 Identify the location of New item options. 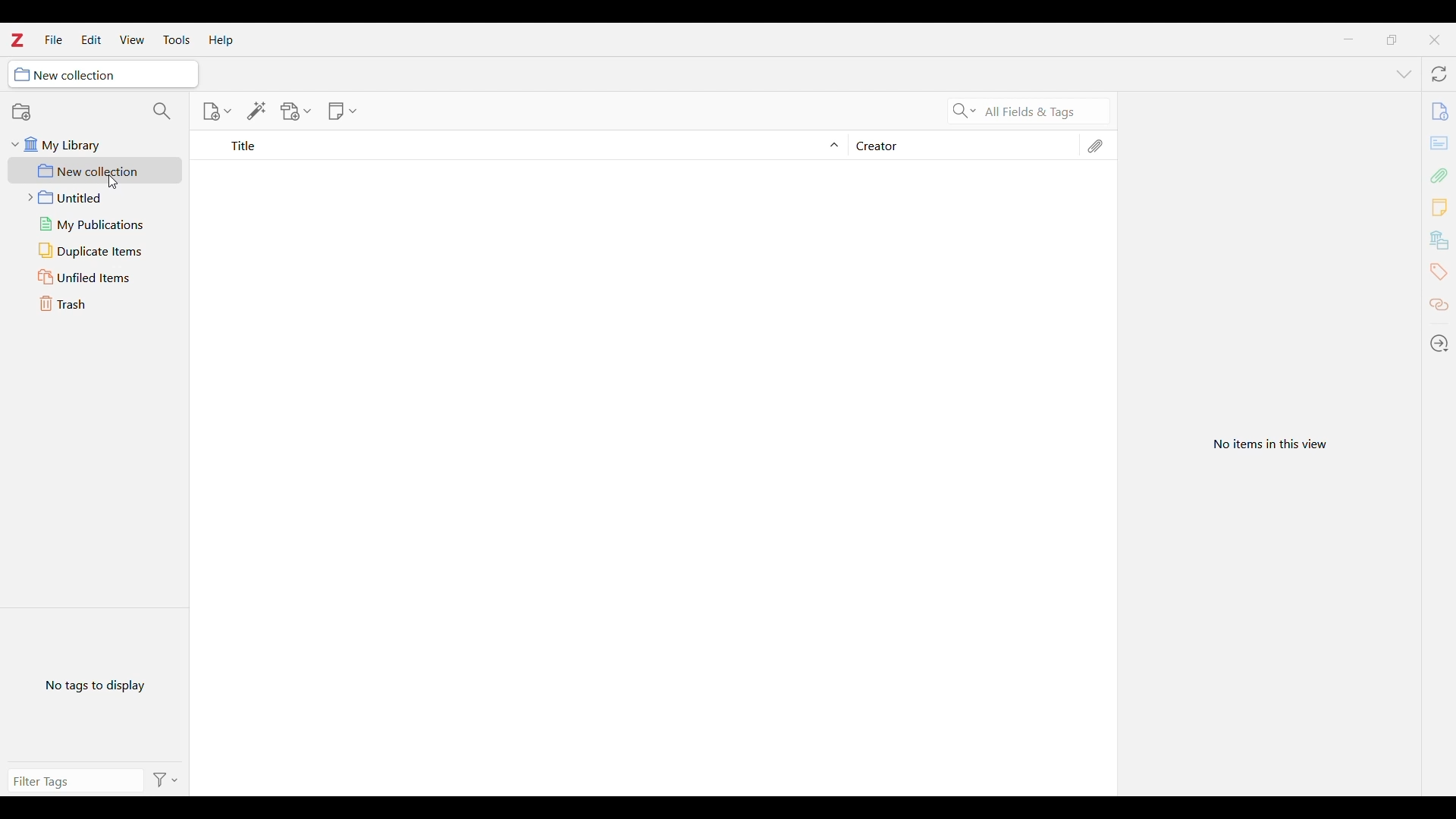
(216, 111).